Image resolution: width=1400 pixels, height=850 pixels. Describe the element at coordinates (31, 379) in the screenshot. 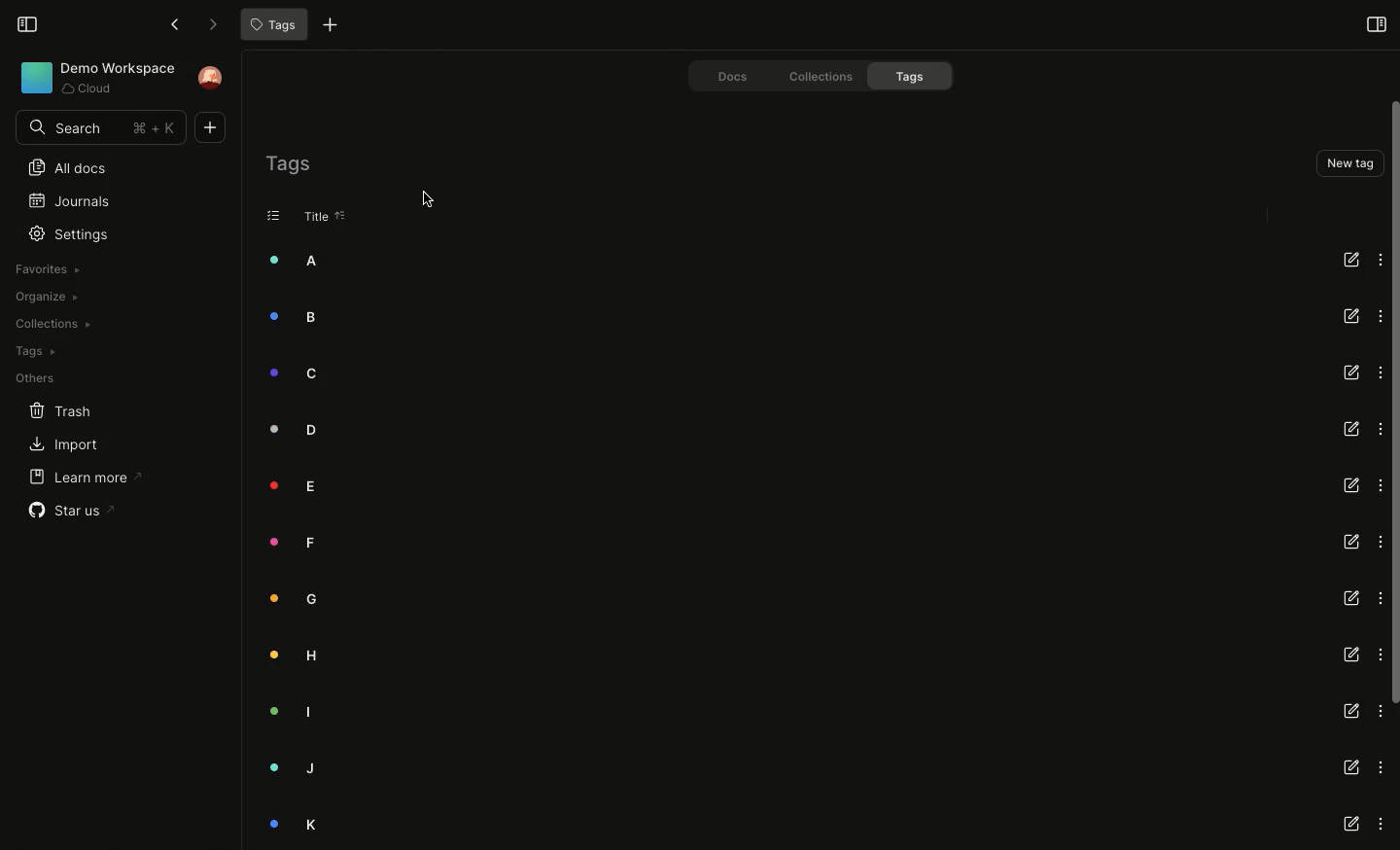

I see `Others` at that location.